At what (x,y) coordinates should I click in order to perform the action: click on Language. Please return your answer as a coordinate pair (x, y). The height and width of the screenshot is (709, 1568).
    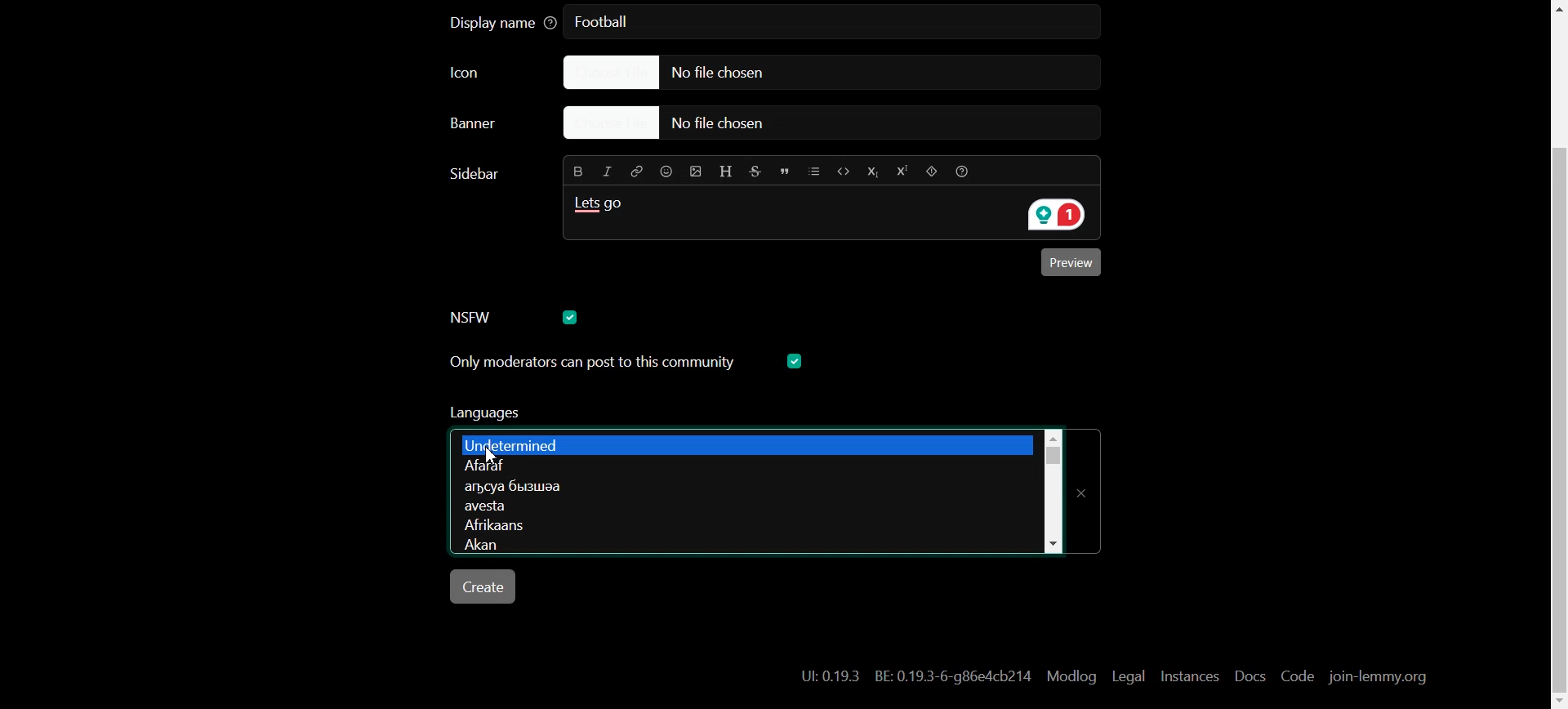
    Looking at the image, I should click on (738, 546).